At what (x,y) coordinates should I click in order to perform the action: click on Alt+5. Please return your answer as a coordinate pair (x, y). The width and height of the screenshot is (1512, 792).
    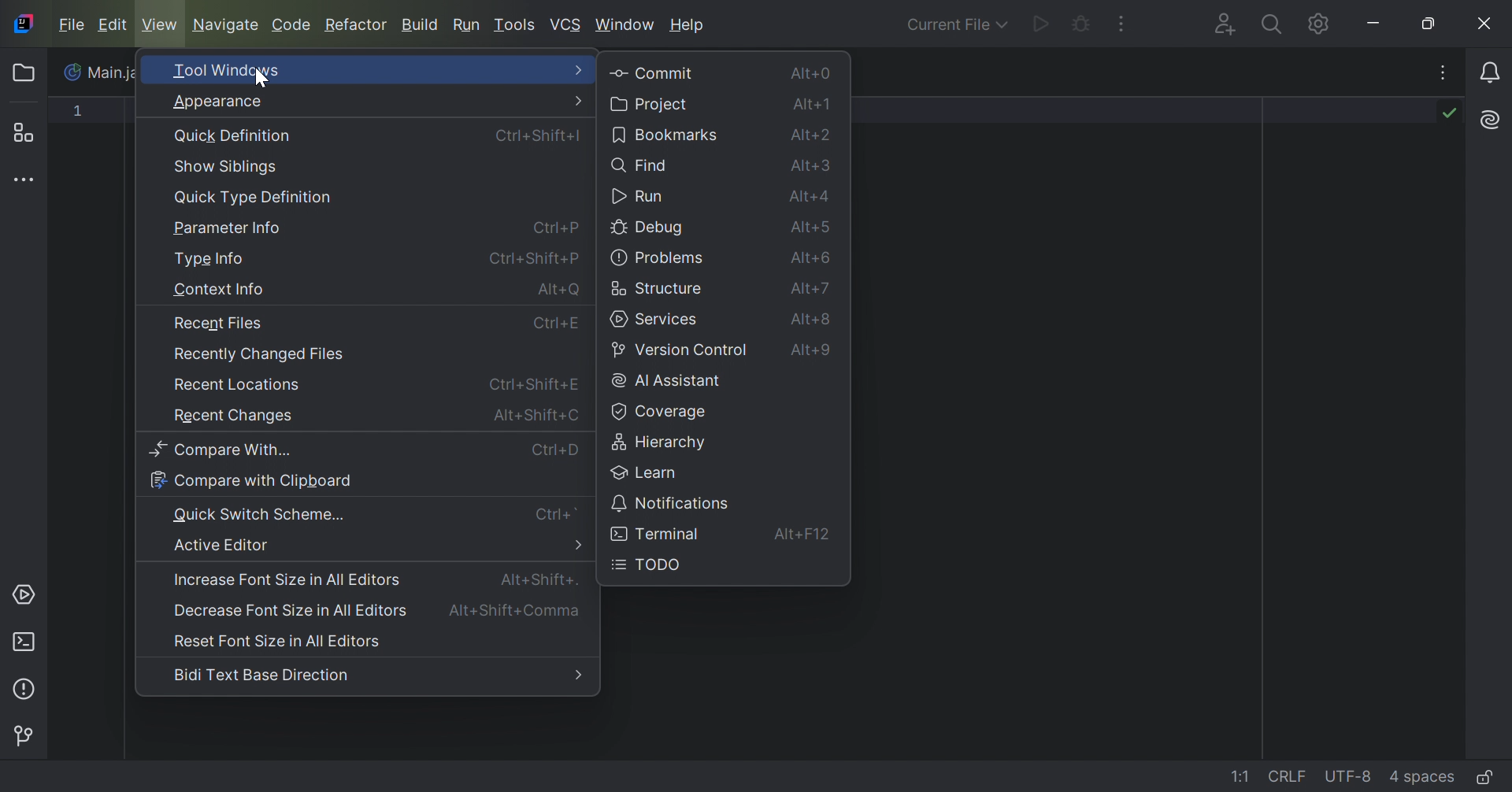
    Looking at the image, I should click on (812, 228).